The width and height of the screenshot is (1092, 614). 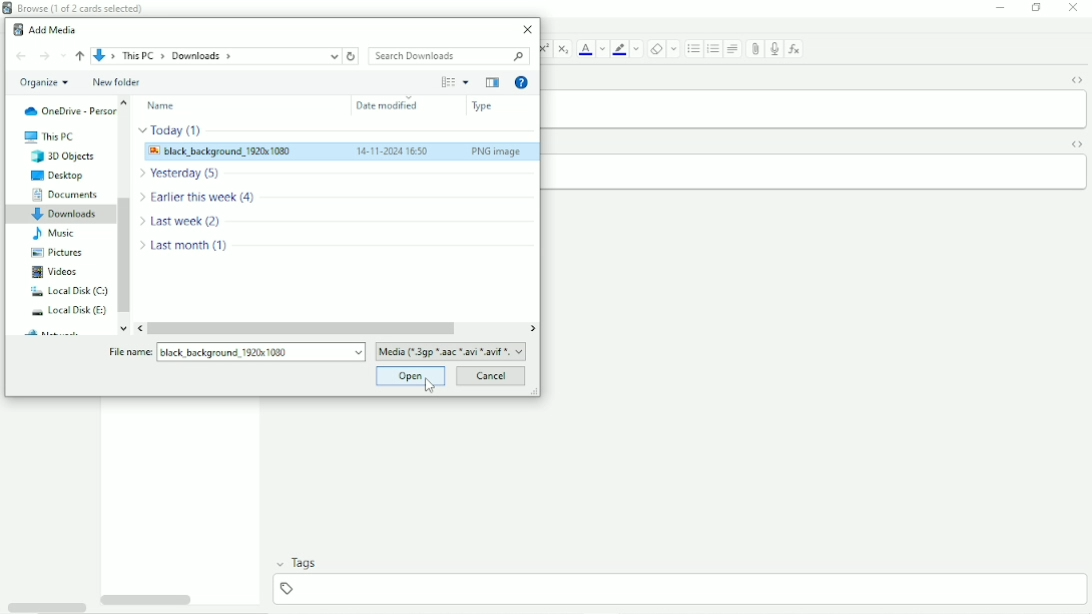 I want to click on Record audio, so click(x=775, y=49).